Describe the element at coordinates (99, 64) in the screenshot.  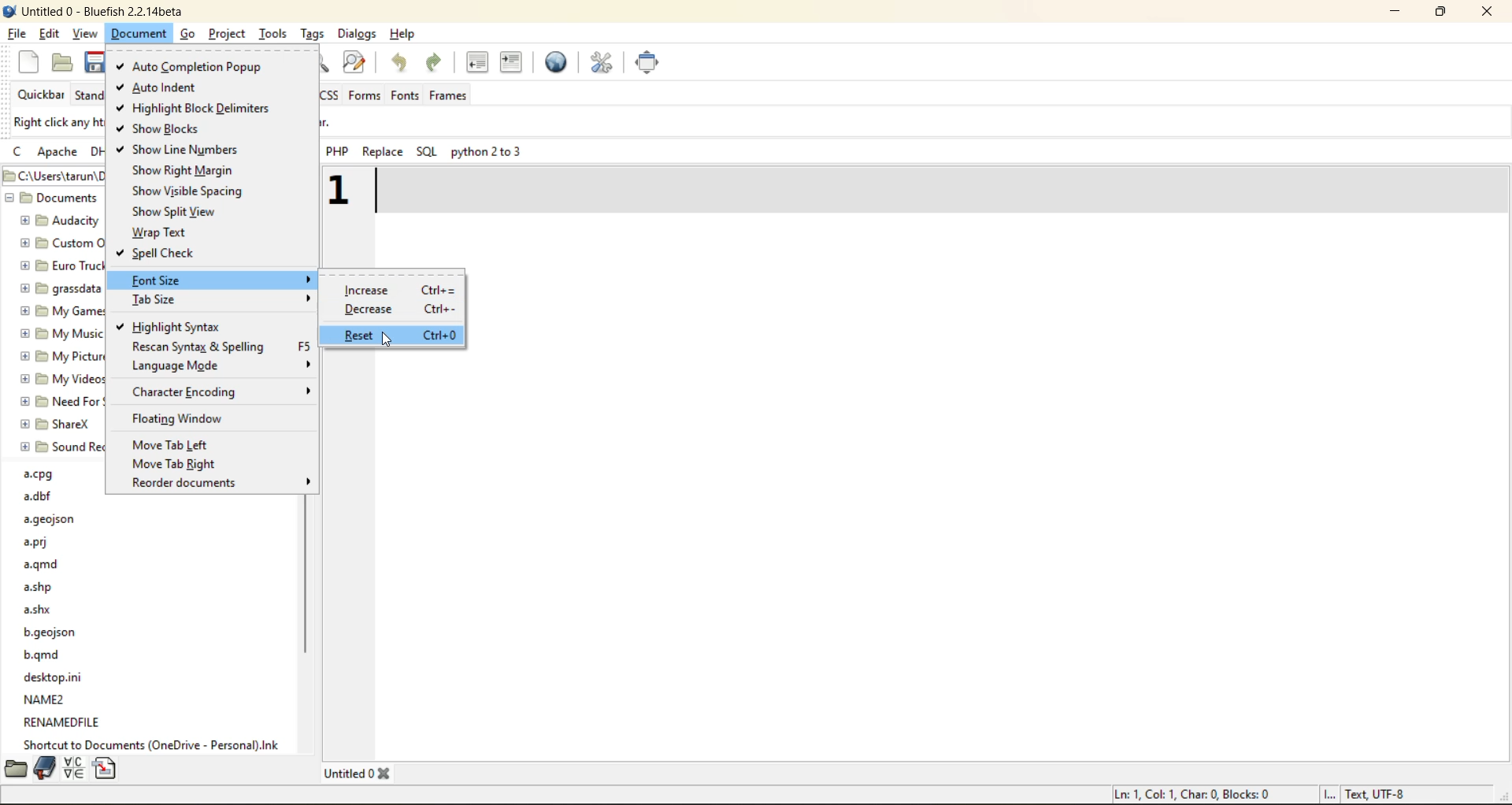
I see `save` at that location.